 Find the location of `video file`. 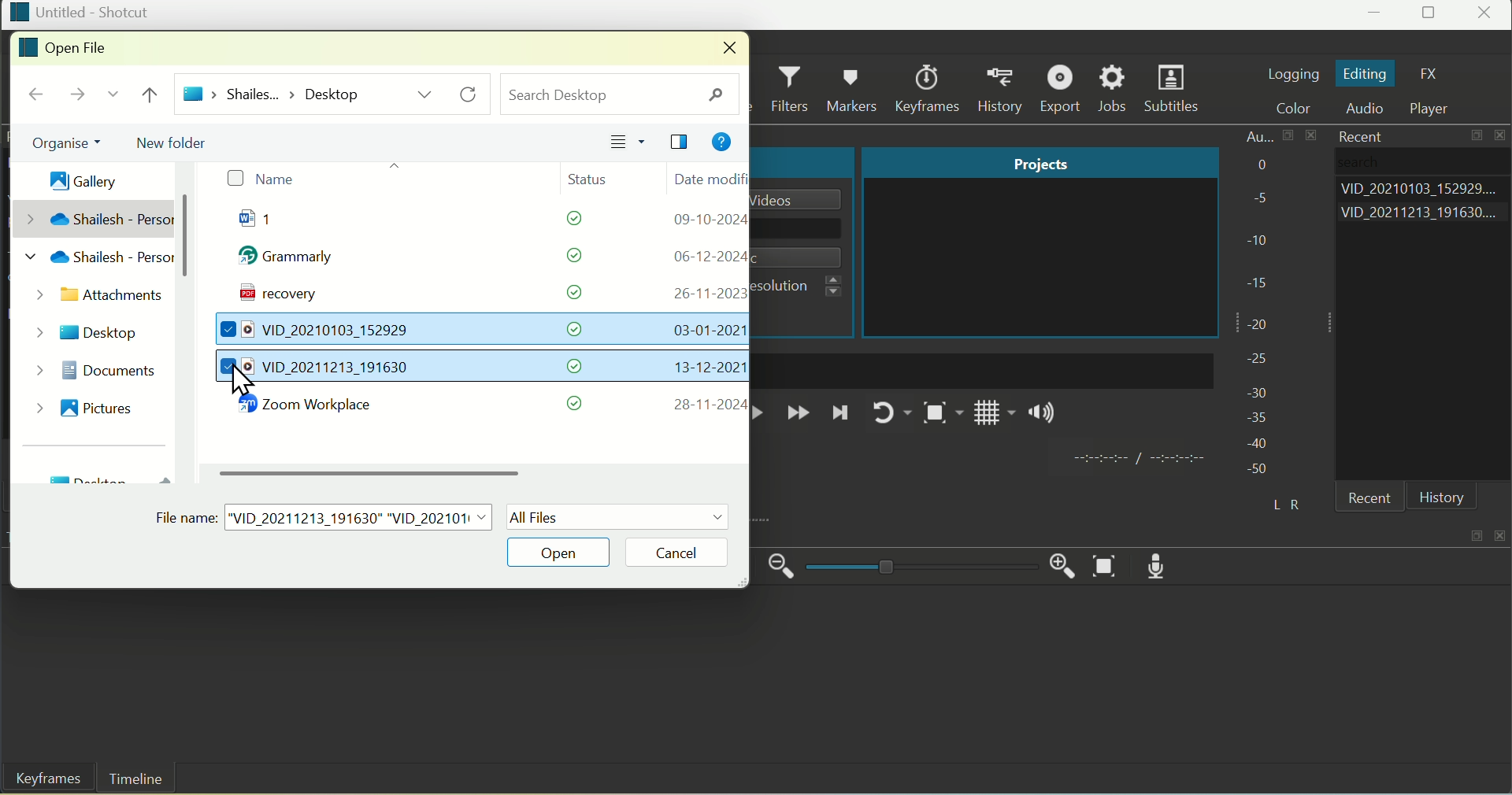

video file is located at coordinates (320, 368).